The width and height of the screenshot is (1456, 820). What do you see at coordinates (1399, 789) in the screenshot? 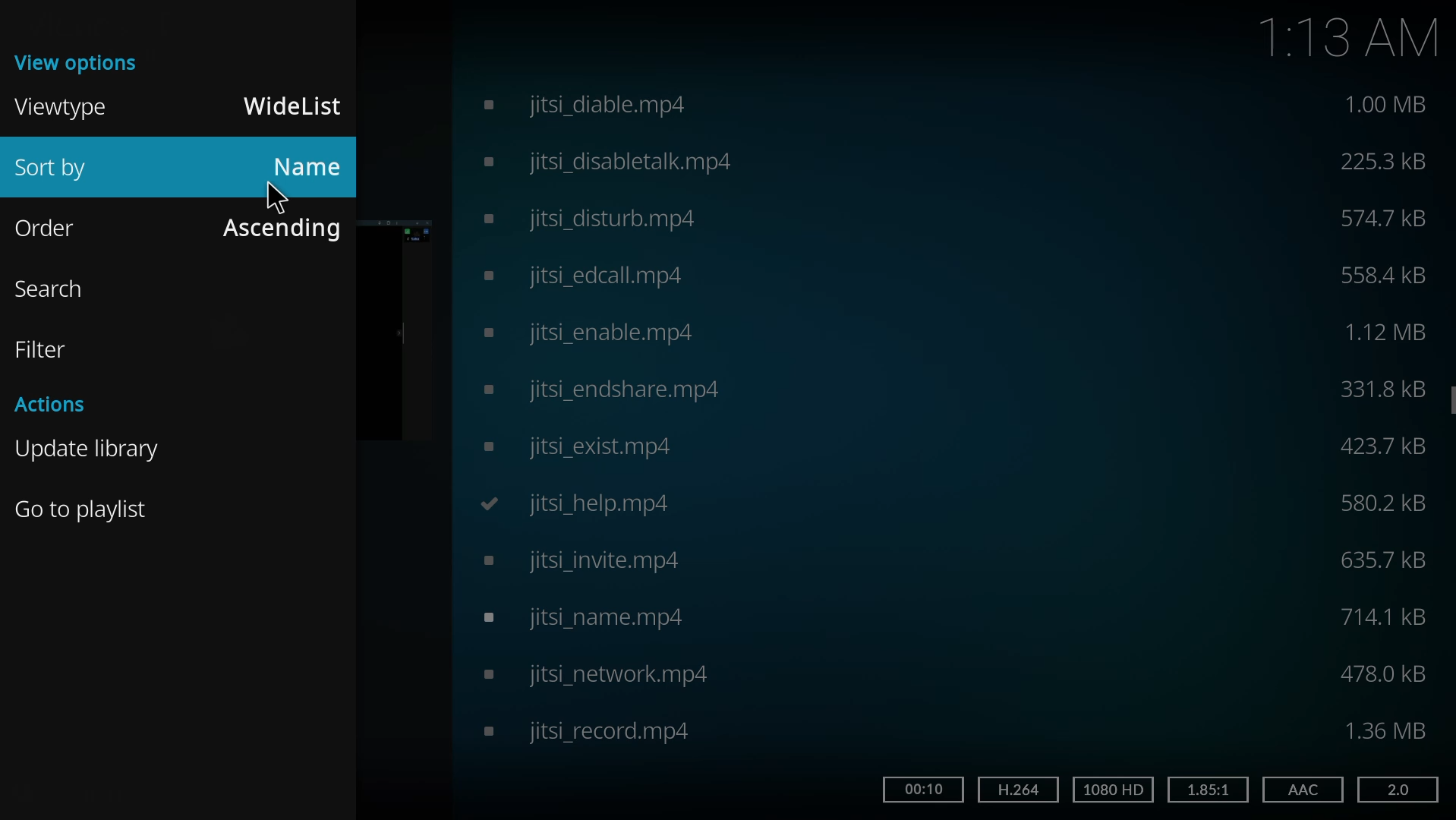
I see `2` at bounding box center [1399, 789].